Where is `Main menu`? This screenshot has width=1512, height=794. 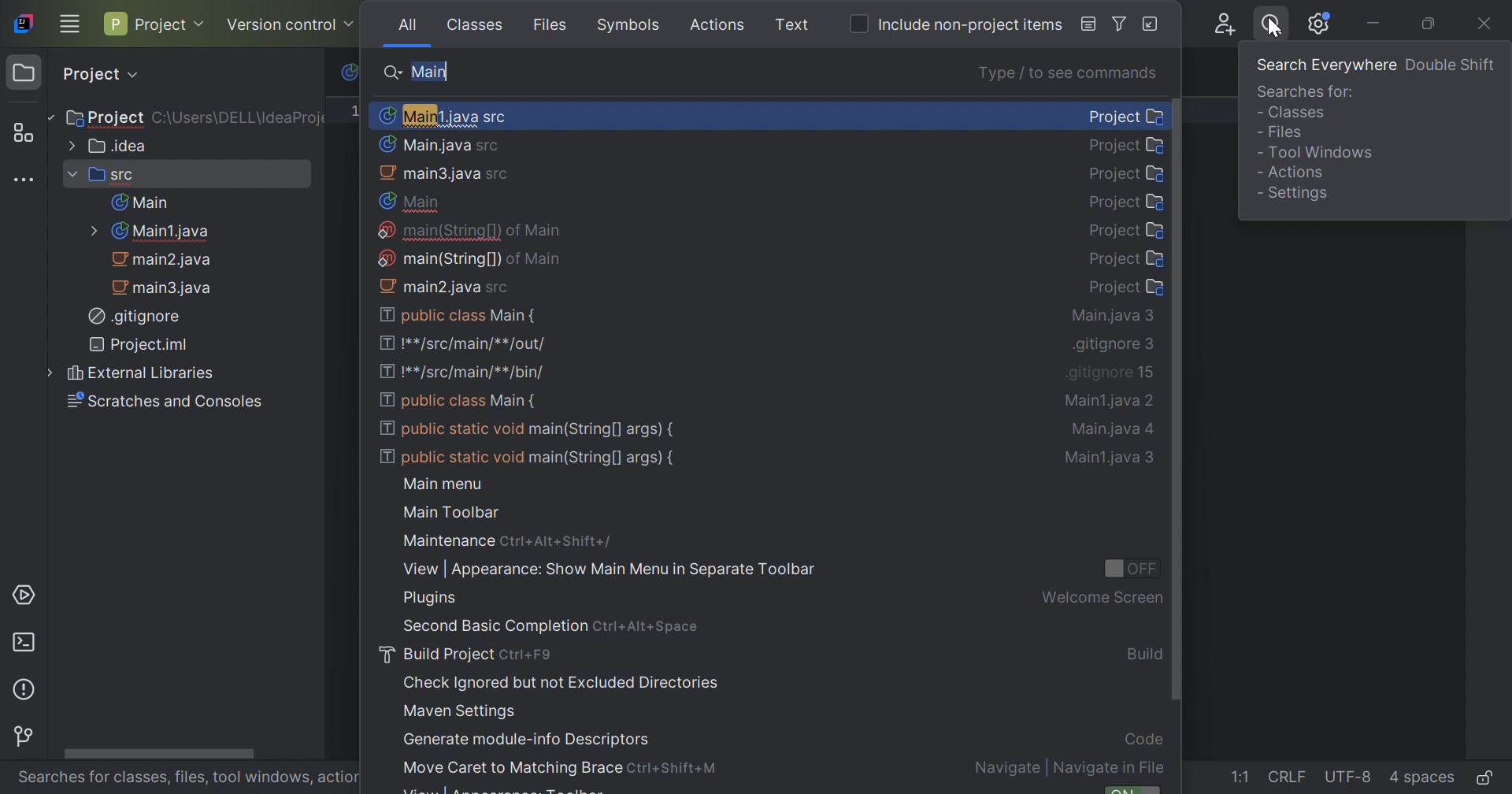 Main menu is located at coordinates (69, 25).